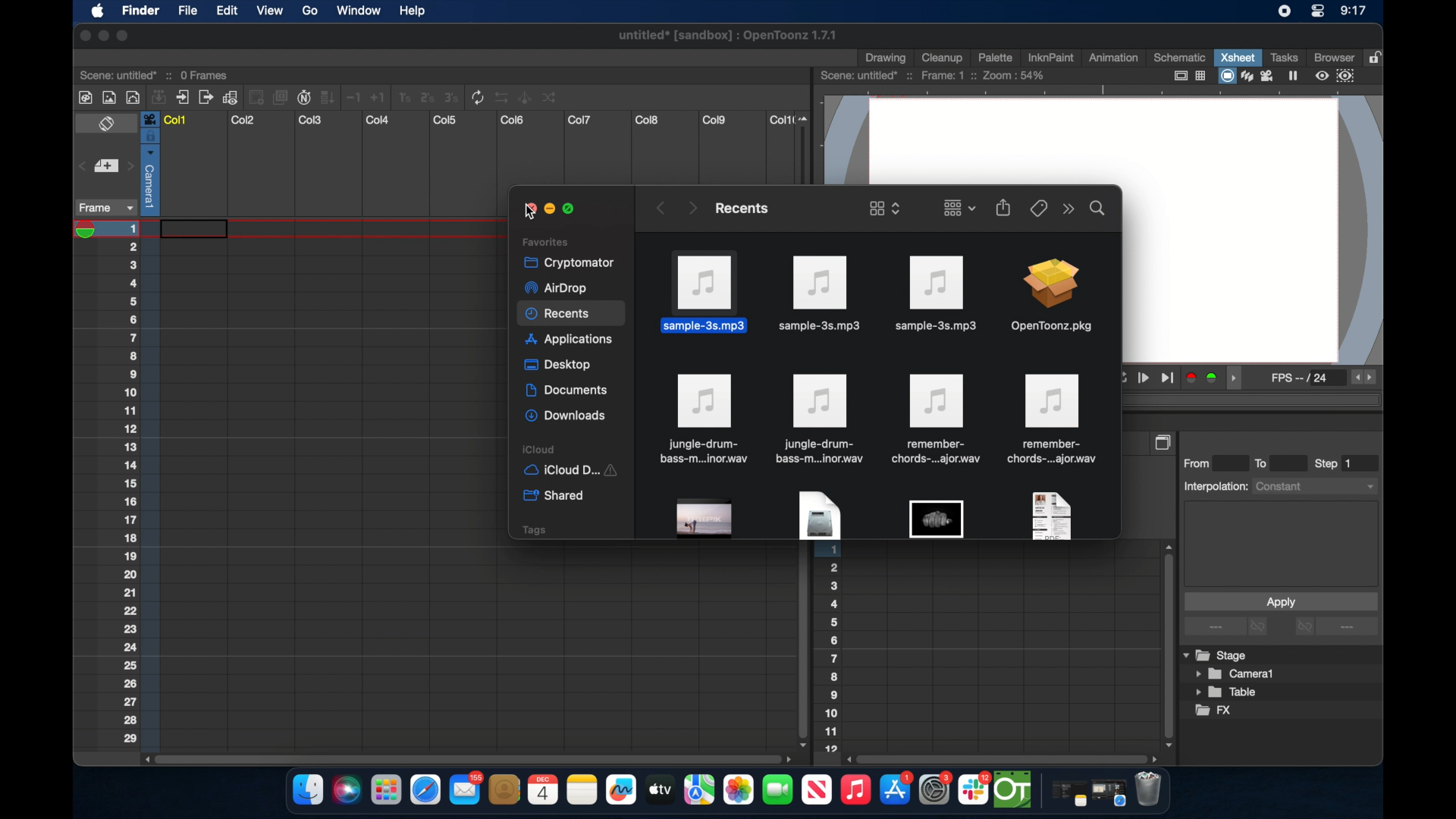 The image size is (1456, 819). Describe the element at coordinates (477, 120) in the screenshot. I see `columns` at that location.